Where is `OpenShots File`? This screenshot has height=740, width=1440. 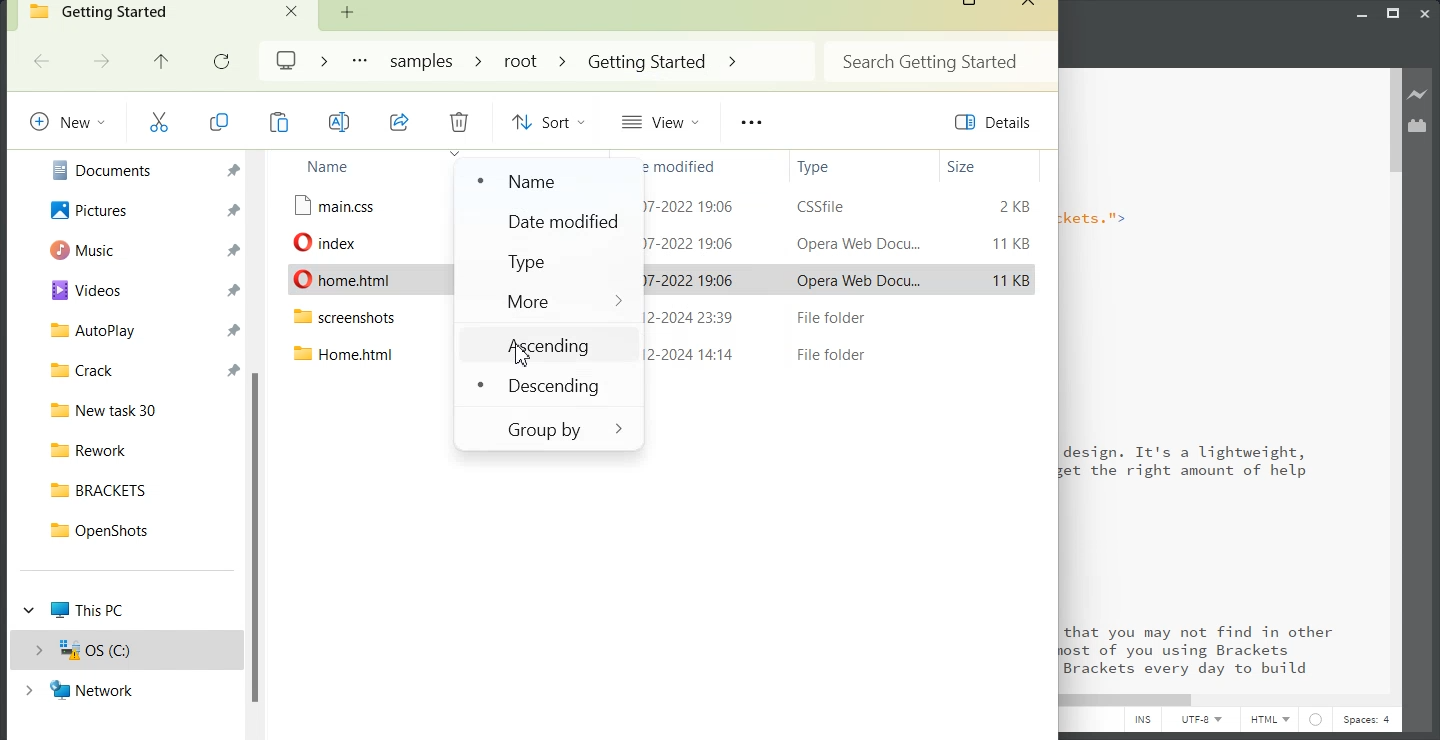
OpenShots File is located at coordinates (139, 530).